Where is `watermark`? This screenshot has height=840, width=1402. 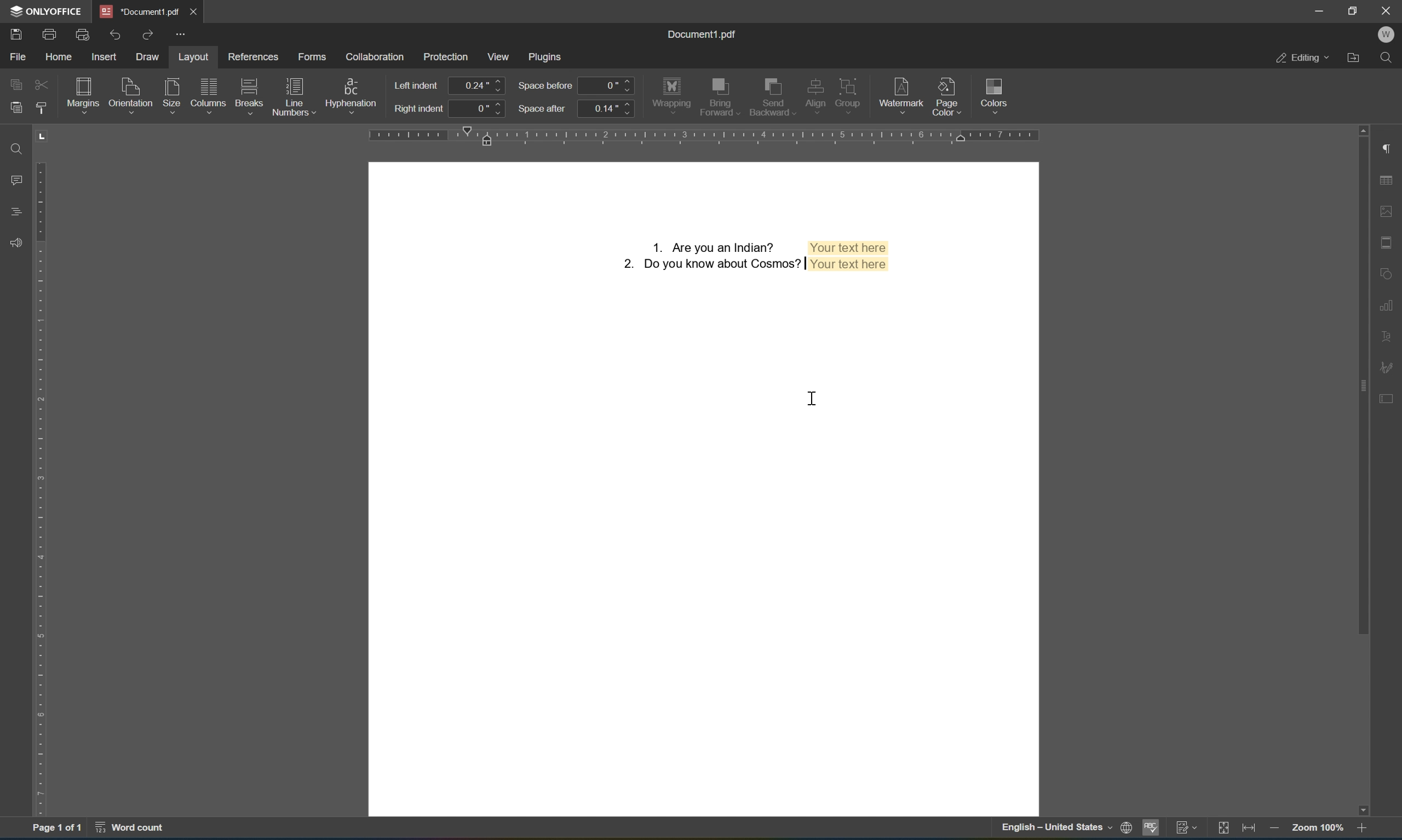
watermark is located at coordinates (902, 92).